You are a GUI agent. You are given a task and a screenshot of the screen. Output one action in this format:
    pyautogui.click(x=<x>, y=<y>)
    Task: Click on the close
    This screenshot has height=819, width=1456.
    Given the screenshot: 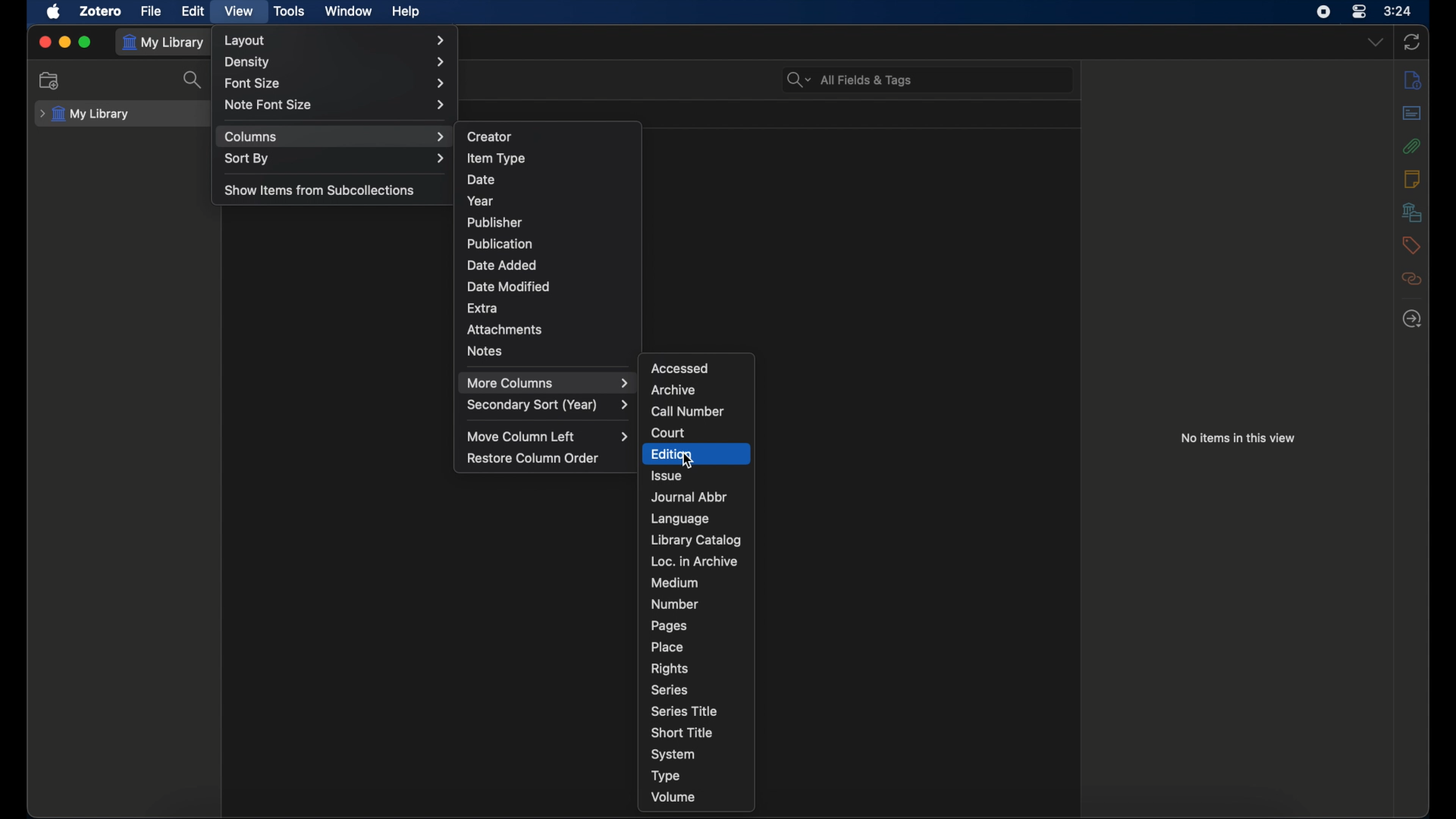 What is the action you would take?
    pyautogui.click(x=45, y=42)
    